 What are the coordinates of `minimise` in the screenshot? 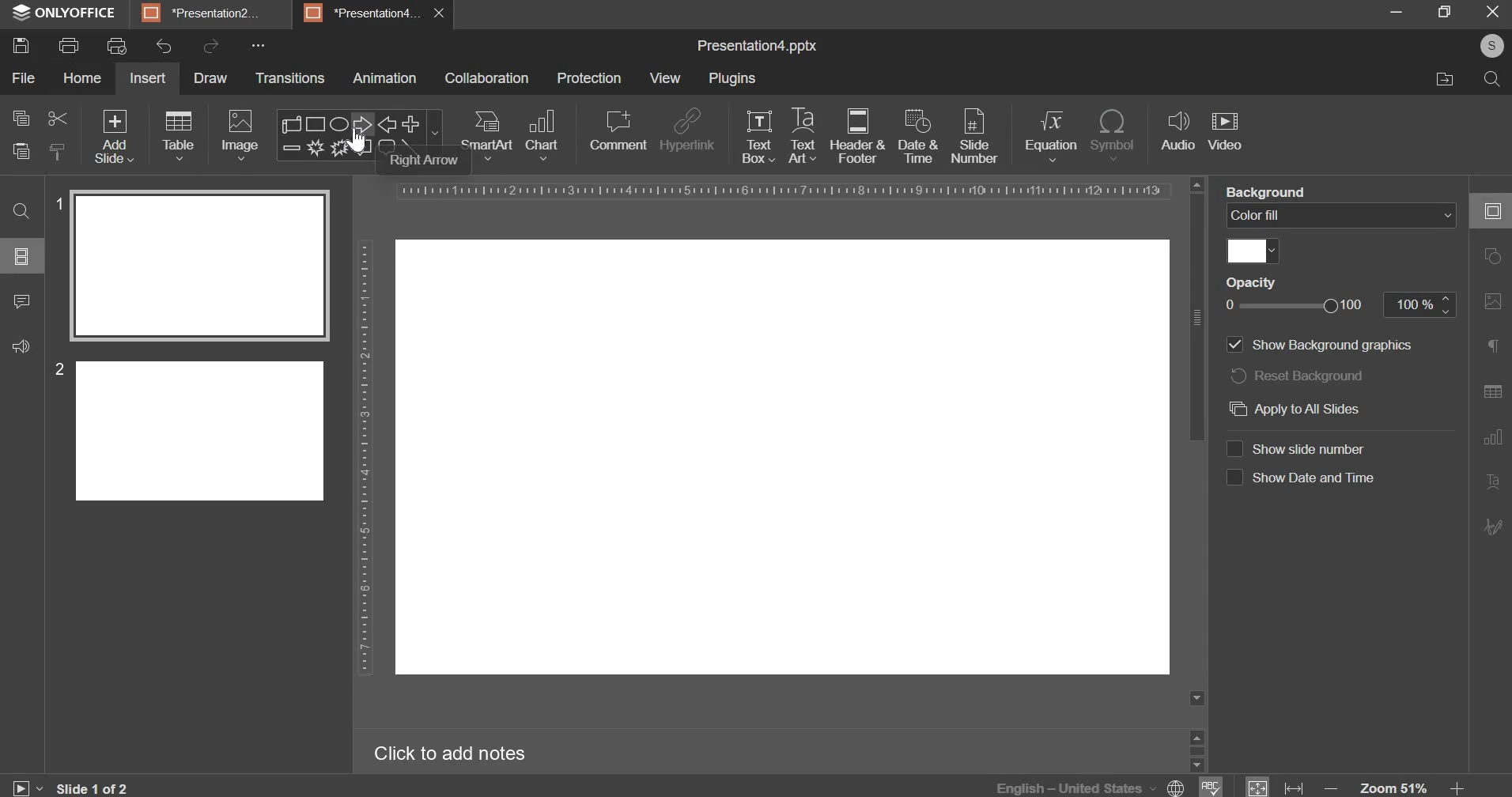 It's located at (1384, 12).